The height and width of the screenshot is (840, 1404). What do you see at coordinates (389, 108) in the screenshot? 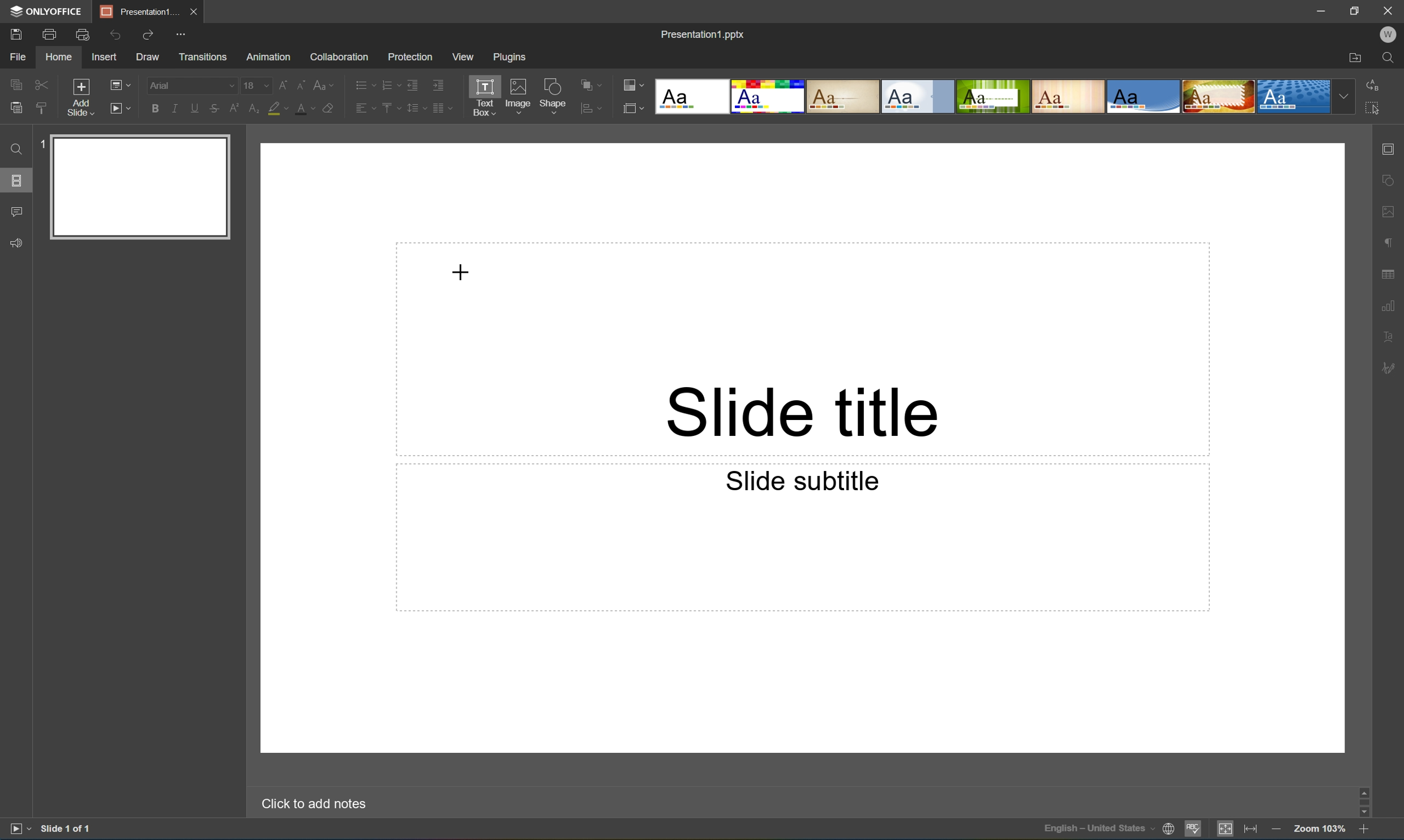
I see `Vertical align` at bounding box center [389, 108].